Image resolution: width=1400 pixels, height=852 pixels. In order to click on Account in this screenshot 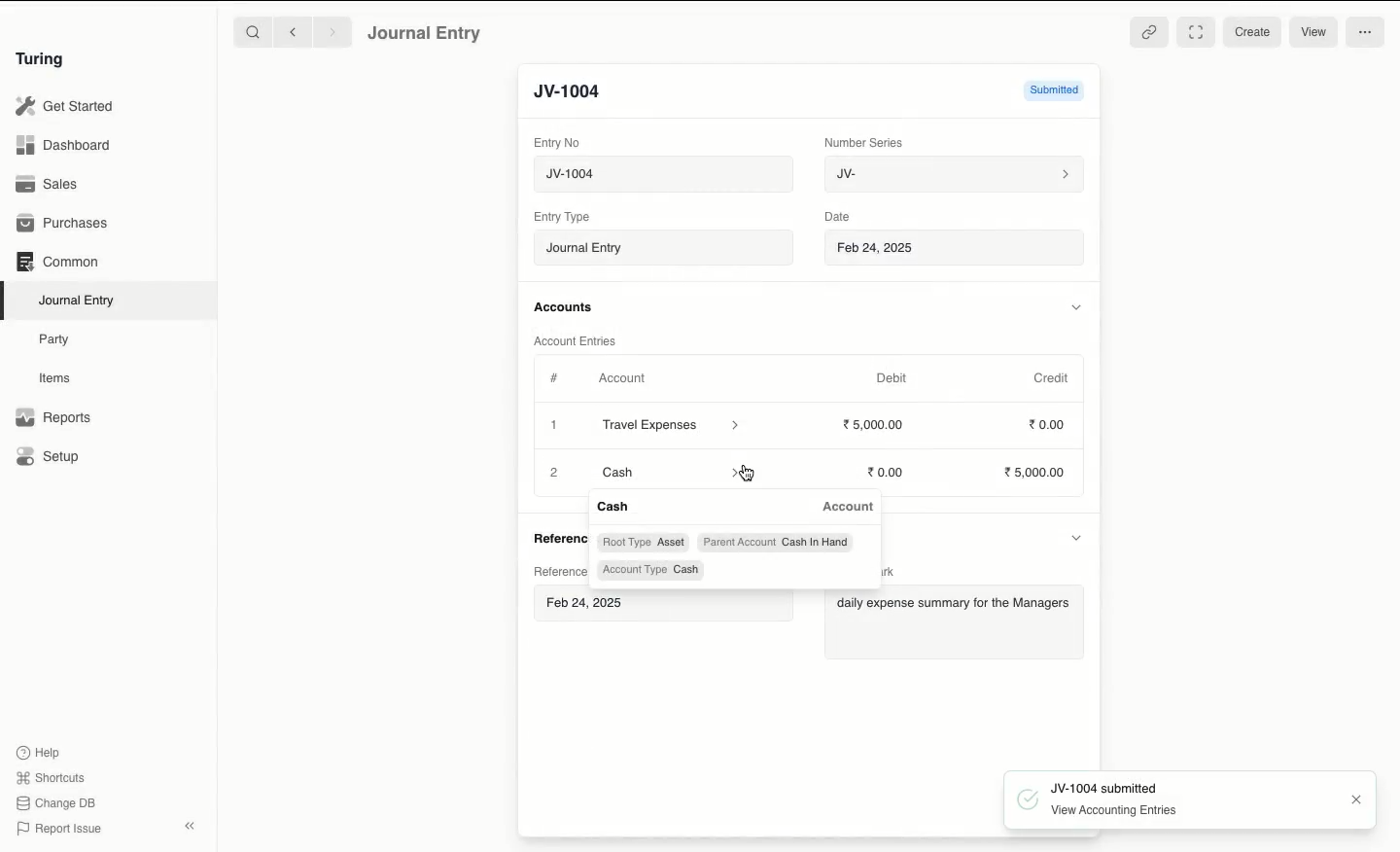, I will do `click(848, 508)`.